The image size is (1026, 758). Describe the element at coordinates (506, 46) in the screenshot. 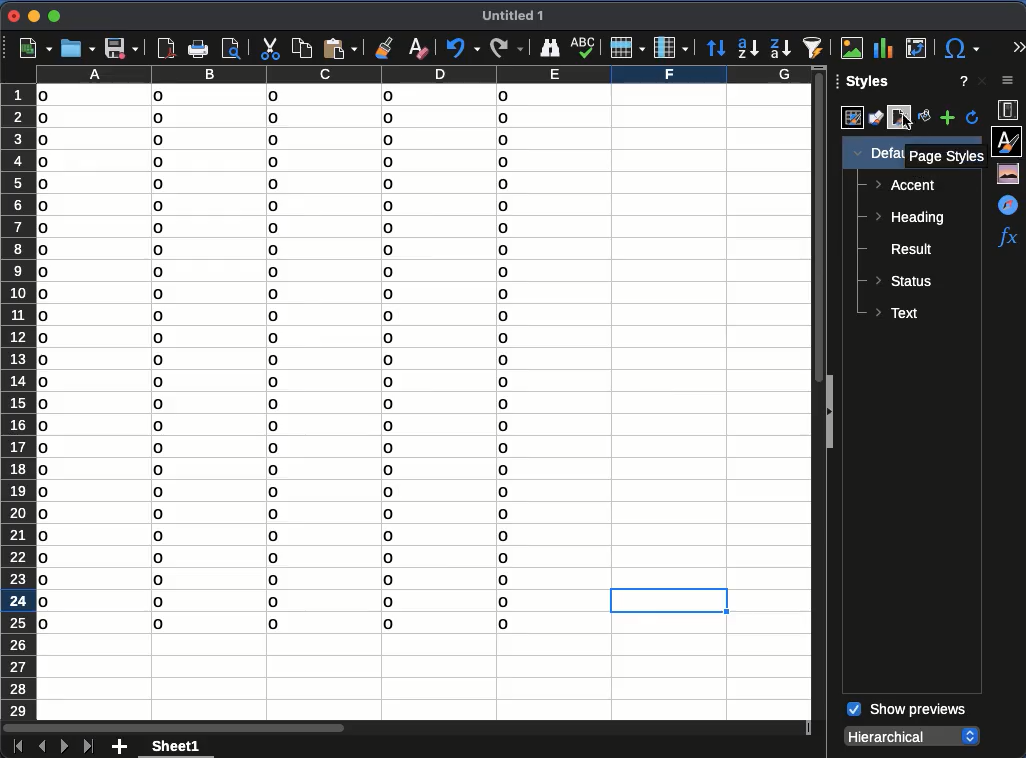

I see `redo` at that location.